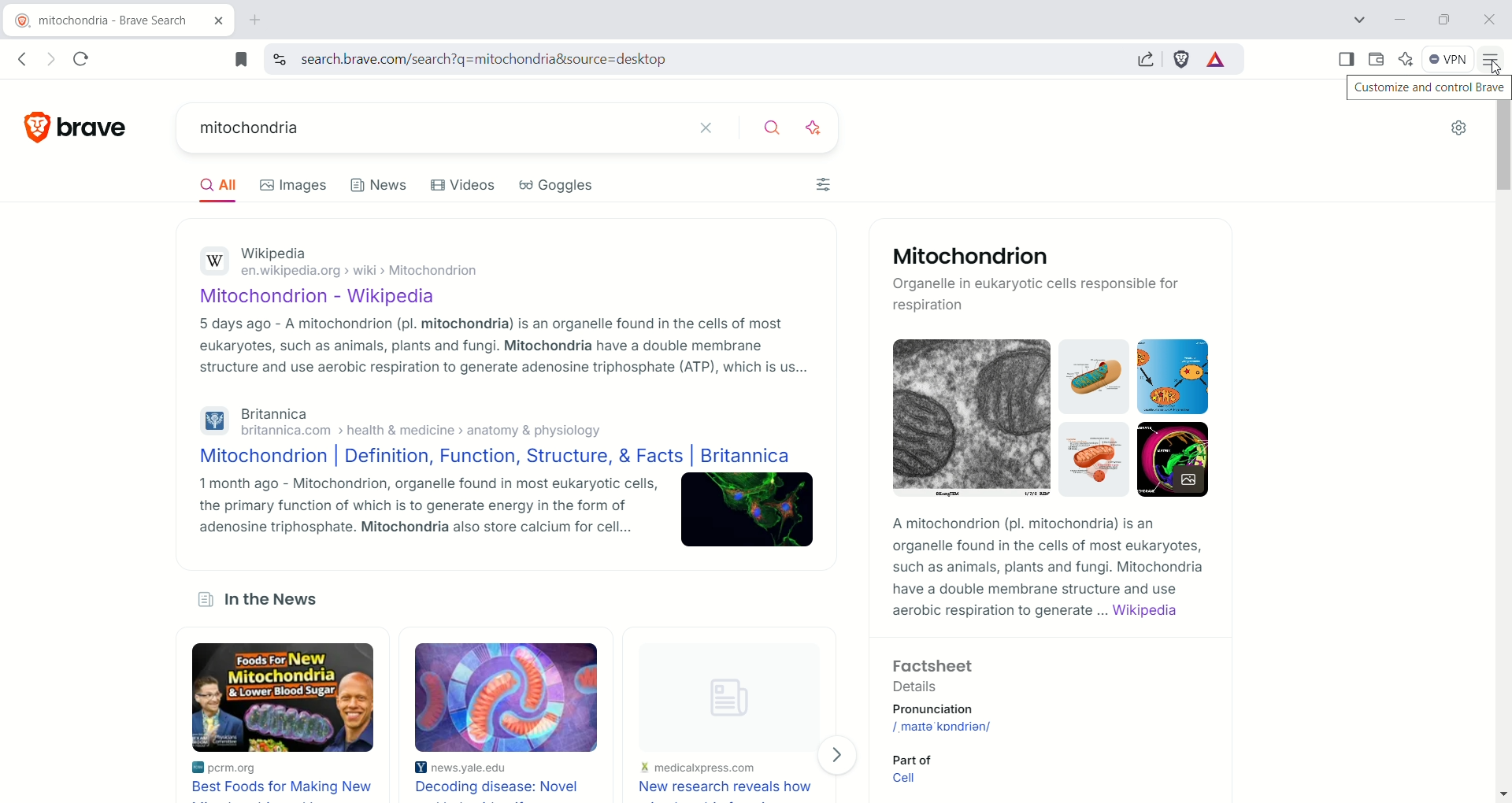 The image size is (1512, 803). Describe the element at coordinates (470, 186) in the screenshot. I see `Videos` at that location.